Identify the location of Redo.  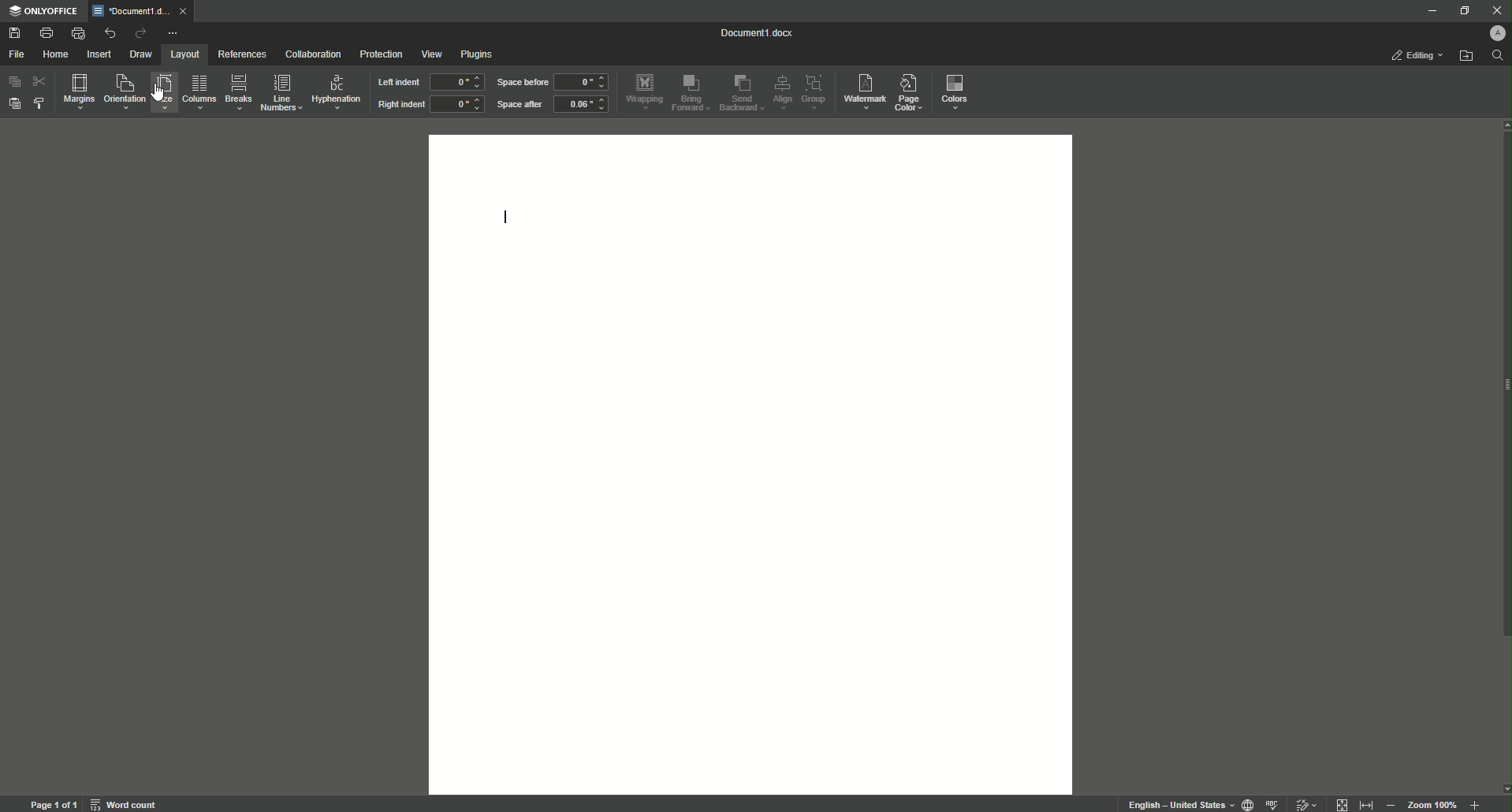
(137, 32).